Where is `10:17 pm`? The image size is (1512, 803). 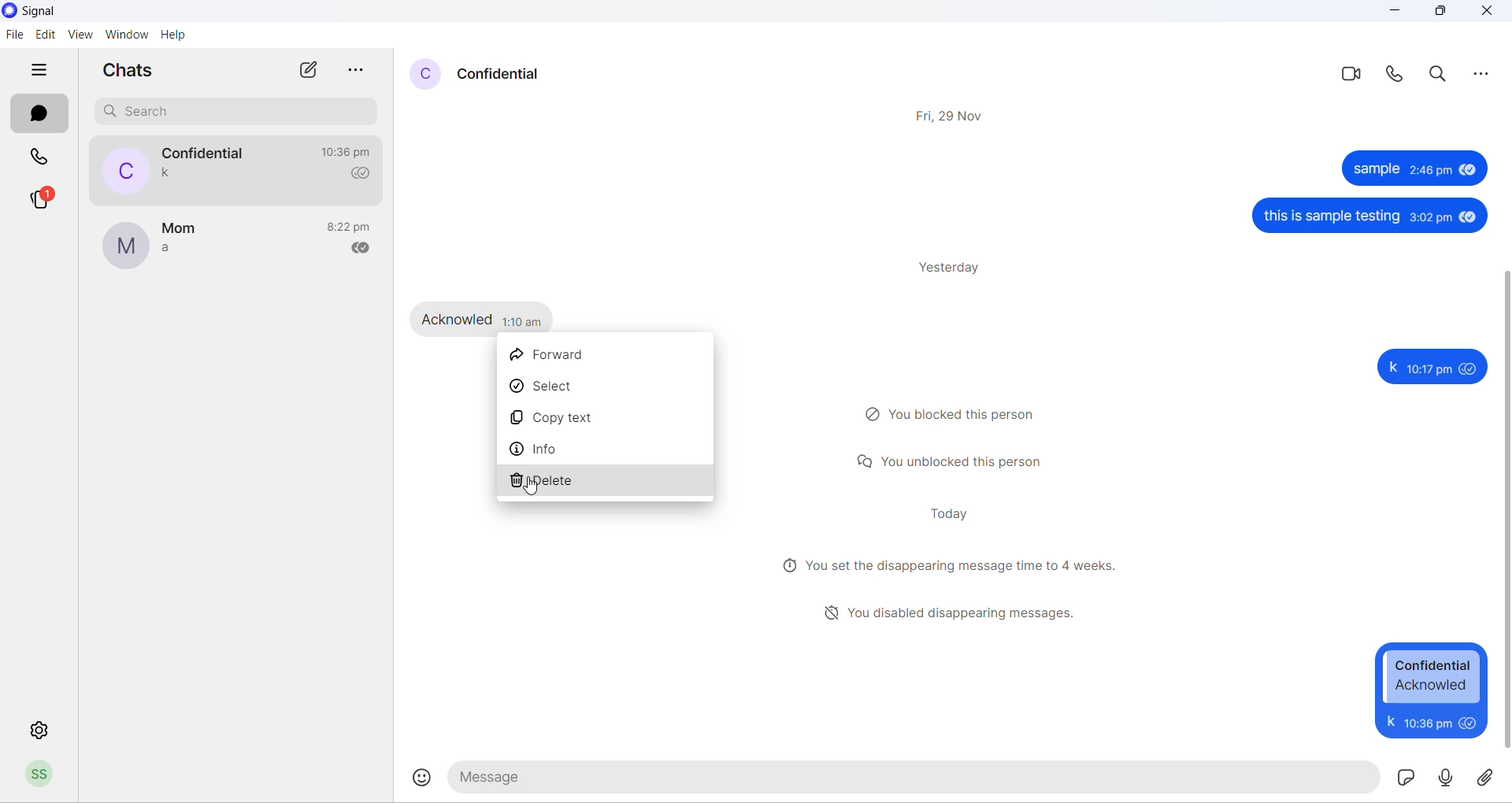 10:17 pm is located at coordinates (1429, 370).